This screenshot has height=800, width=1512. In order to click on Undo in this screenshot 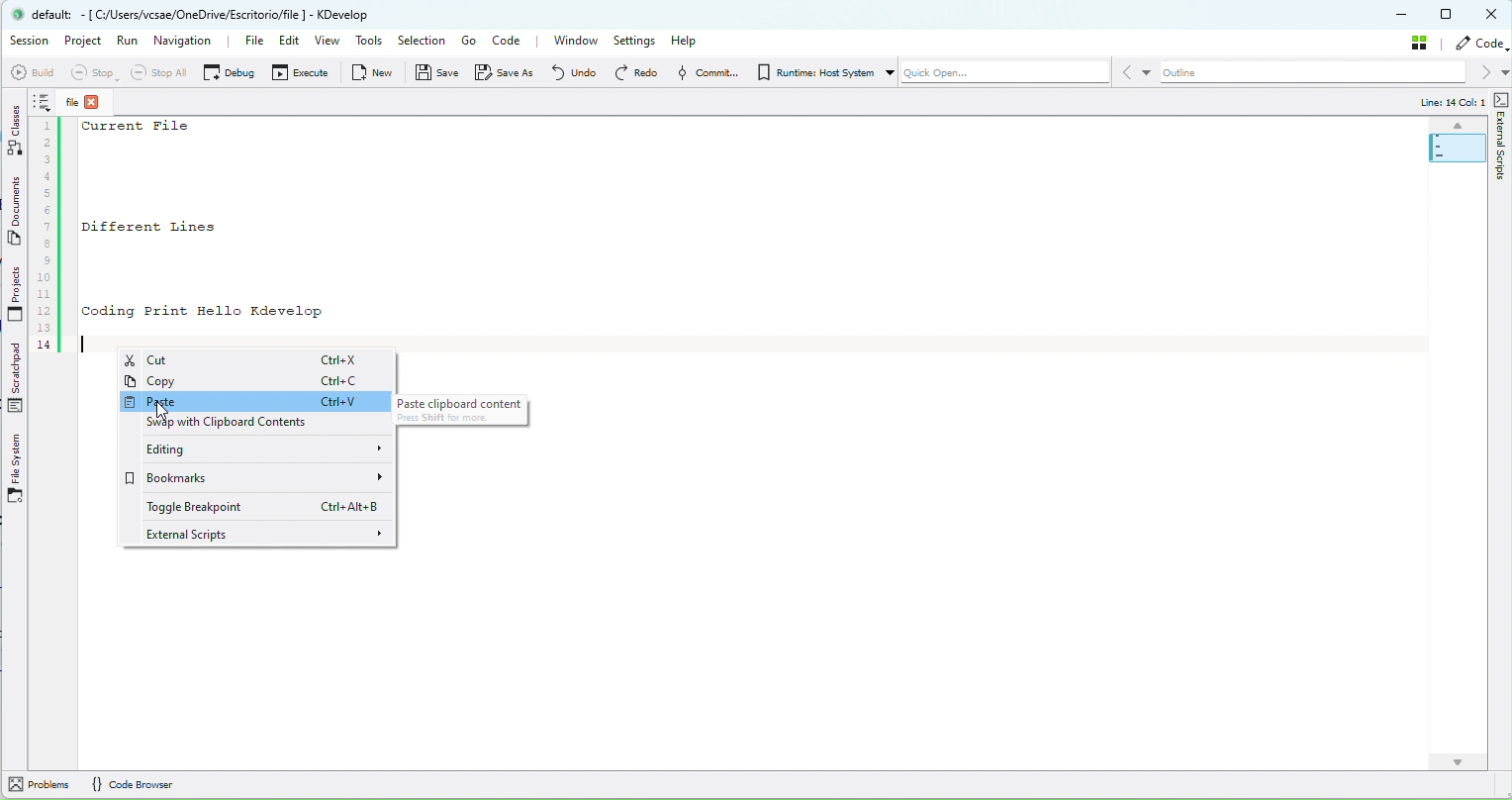, I will do `click(573, 71)`.